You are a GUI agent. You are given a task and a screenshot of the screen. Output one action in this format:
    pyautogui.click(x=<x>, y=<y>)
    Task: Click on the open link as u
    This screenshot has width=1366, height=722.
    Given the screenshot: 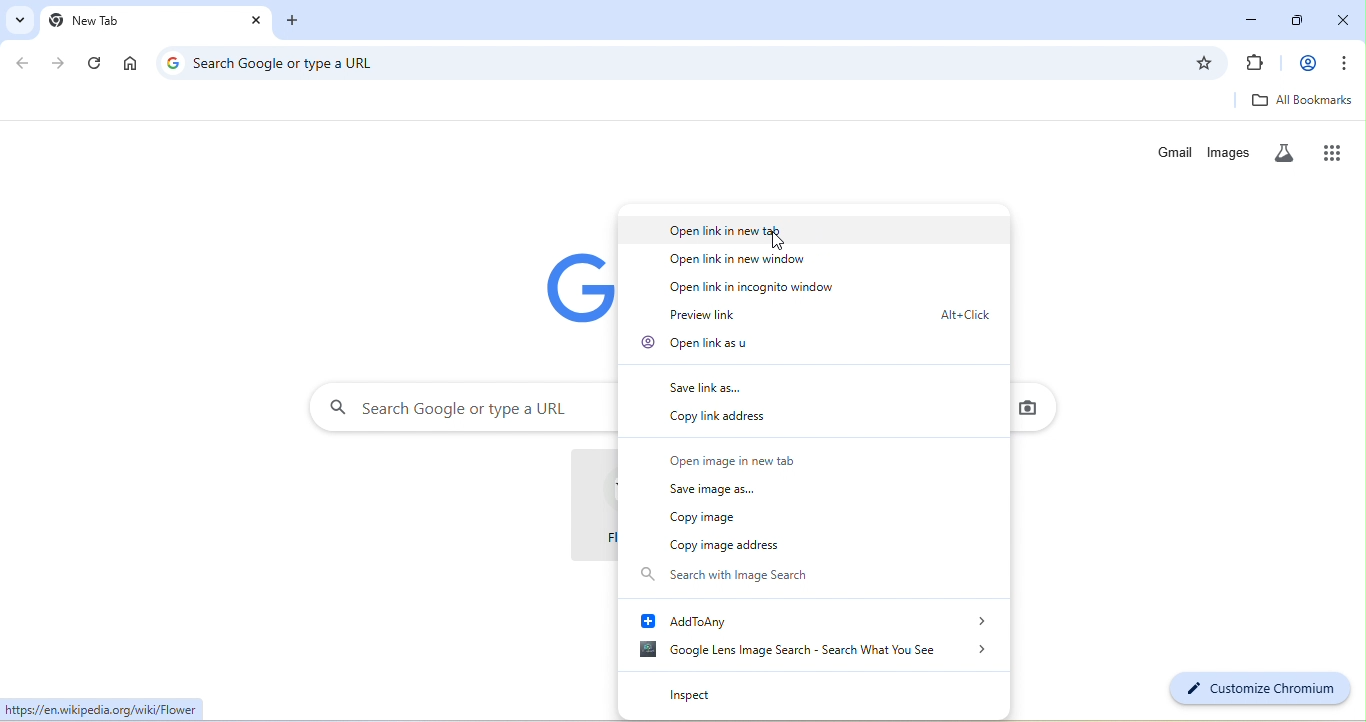 What is the action you would take?
    pyautogui.click(x=701, y=344)
    